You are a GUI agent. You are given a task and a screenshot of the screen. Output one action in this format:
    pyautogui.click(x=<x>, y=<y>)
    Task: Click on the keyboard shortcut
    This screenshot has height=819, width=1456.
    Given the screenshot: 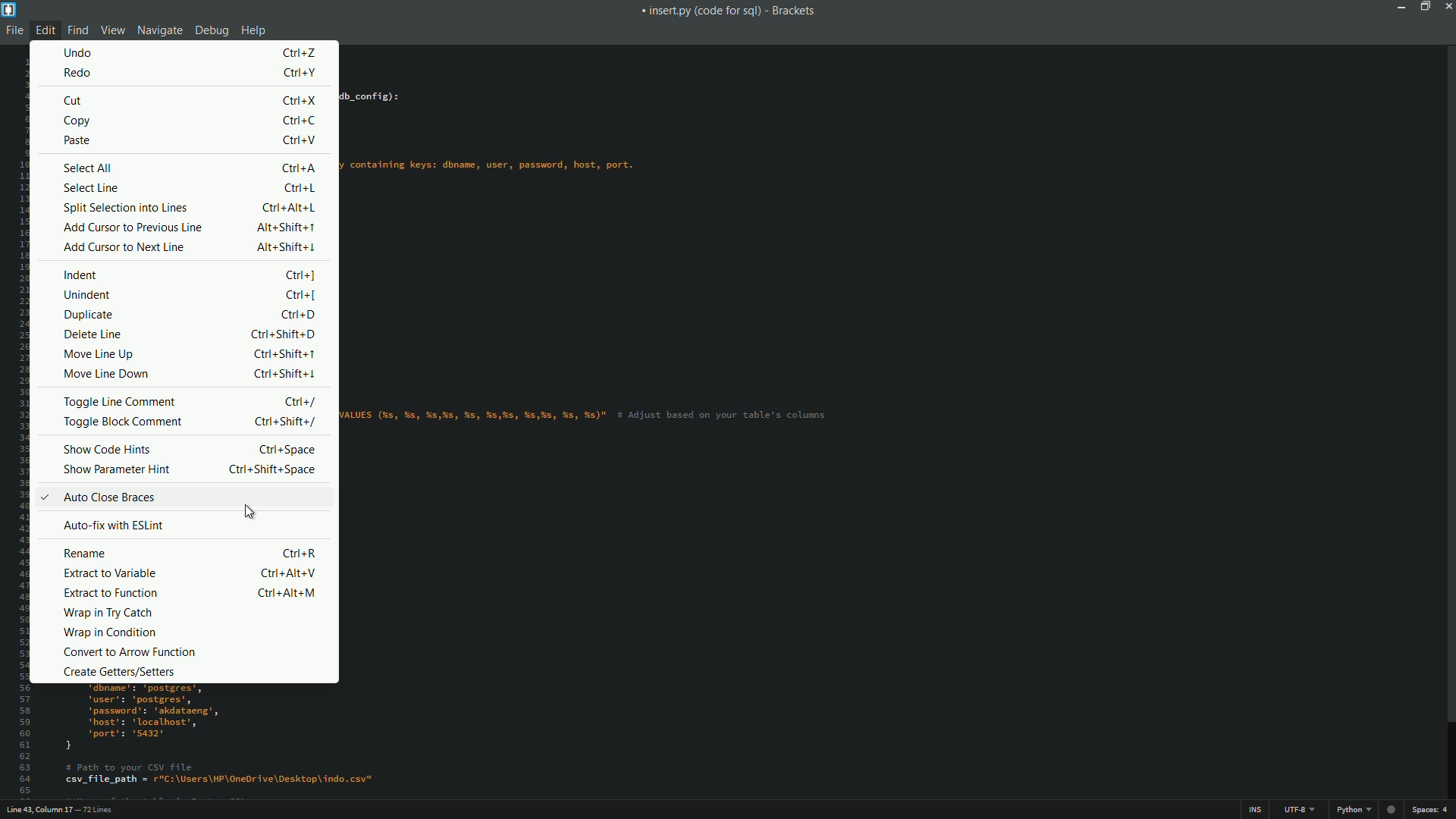 What is the action you would take?
    pyautogui.click(x=288, y=246)
    